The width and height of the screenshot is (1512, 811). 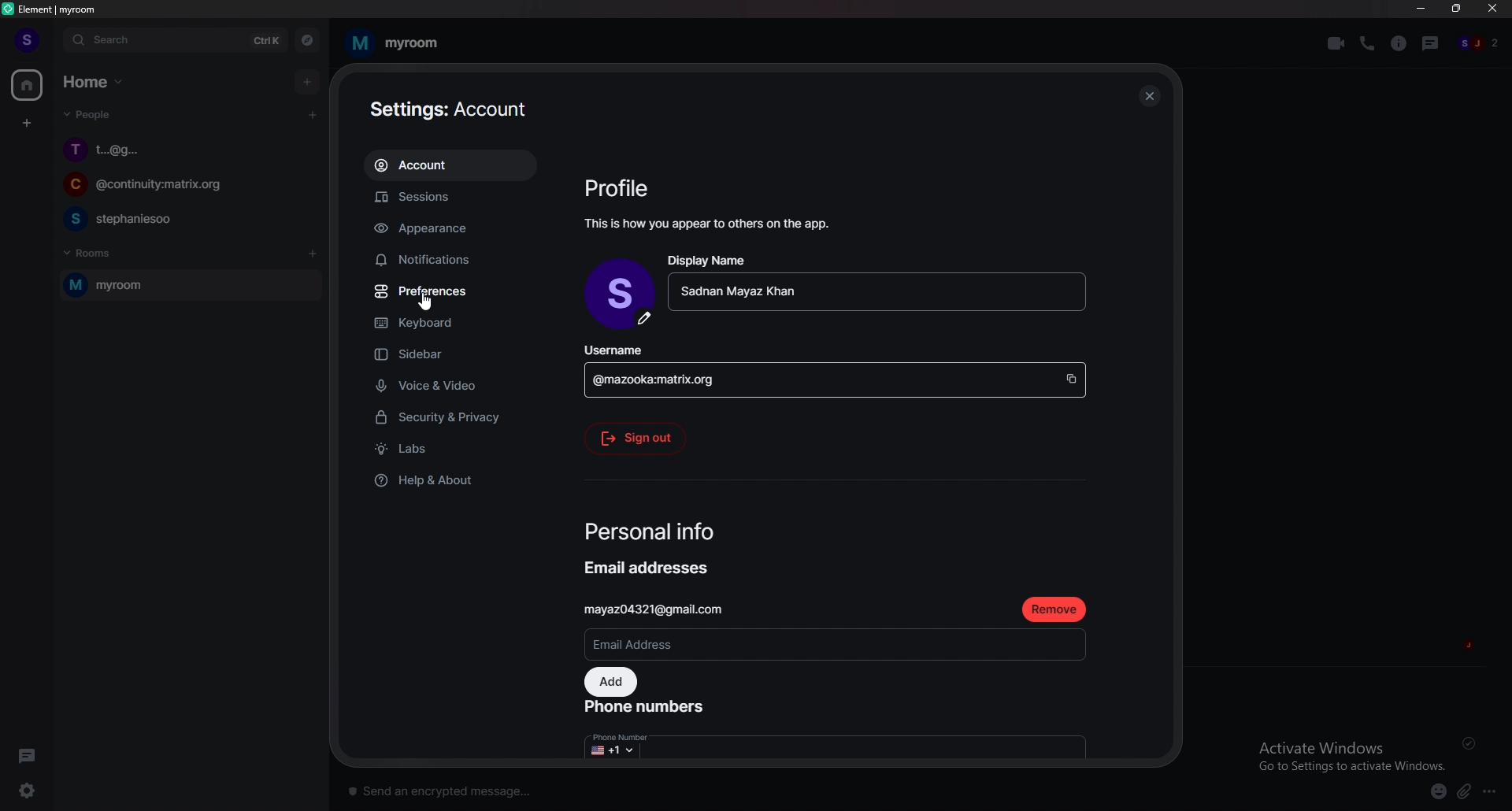 What do you see at coordinates (1432, 43) in the screenshot?
I see `thread` at bounding box center [1432, 43].